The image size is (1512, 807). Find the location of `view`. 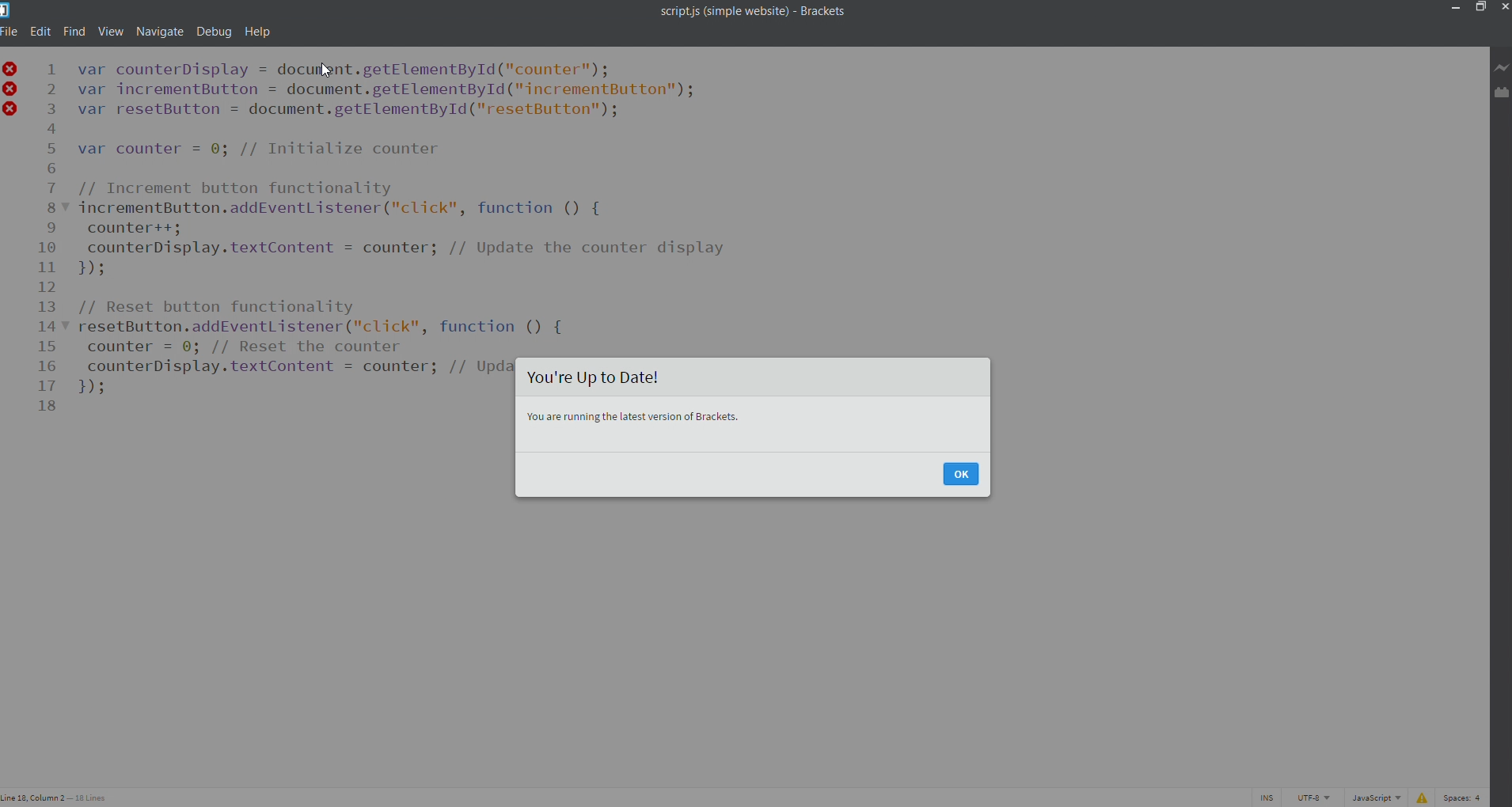

view is located at coordinates (111, 30).